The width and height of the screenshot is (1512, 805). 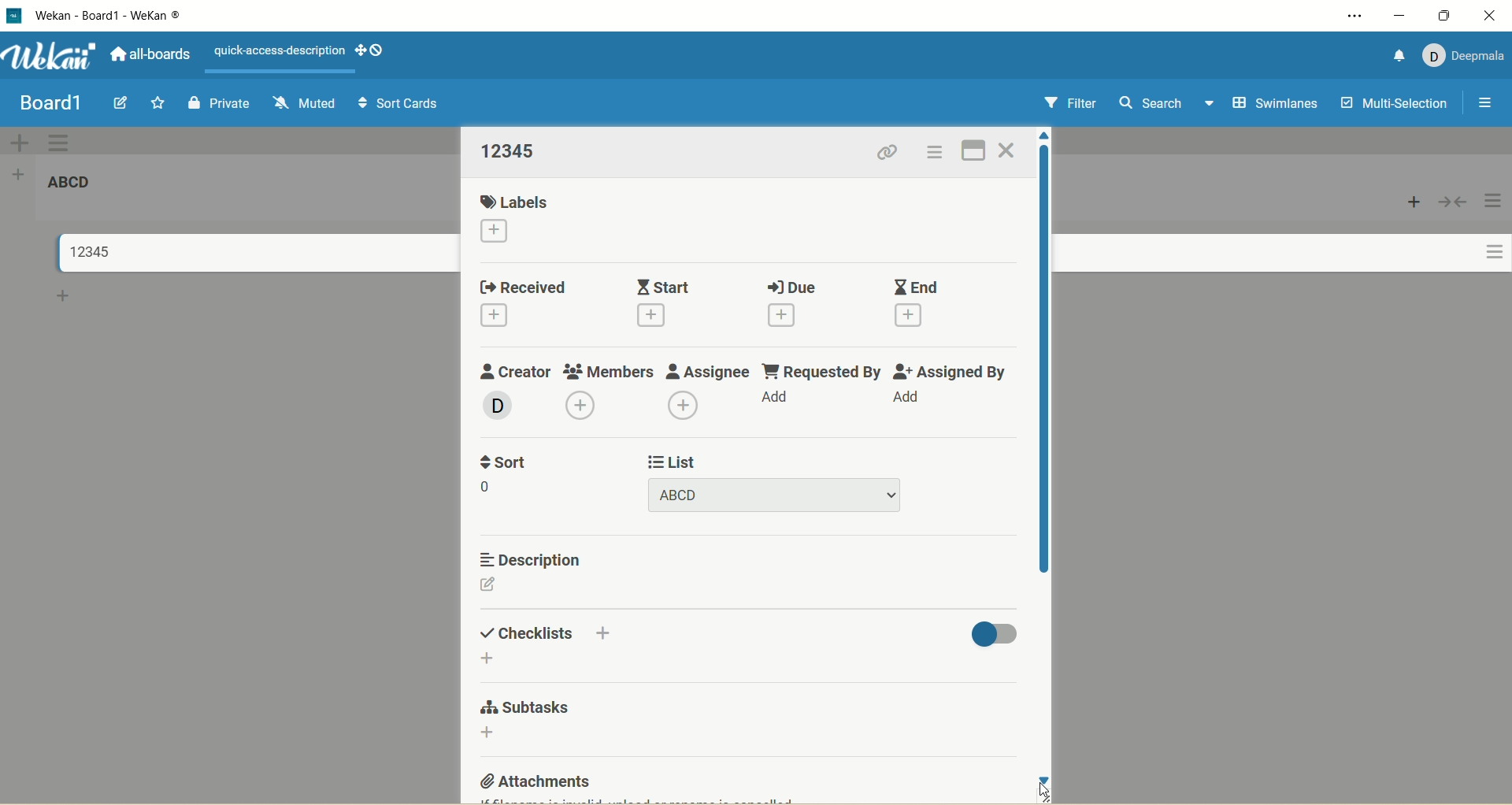 What do you see at coordinates (51, 58) in the screenshot?
I see `wekan` at bounding box center [51, 58].